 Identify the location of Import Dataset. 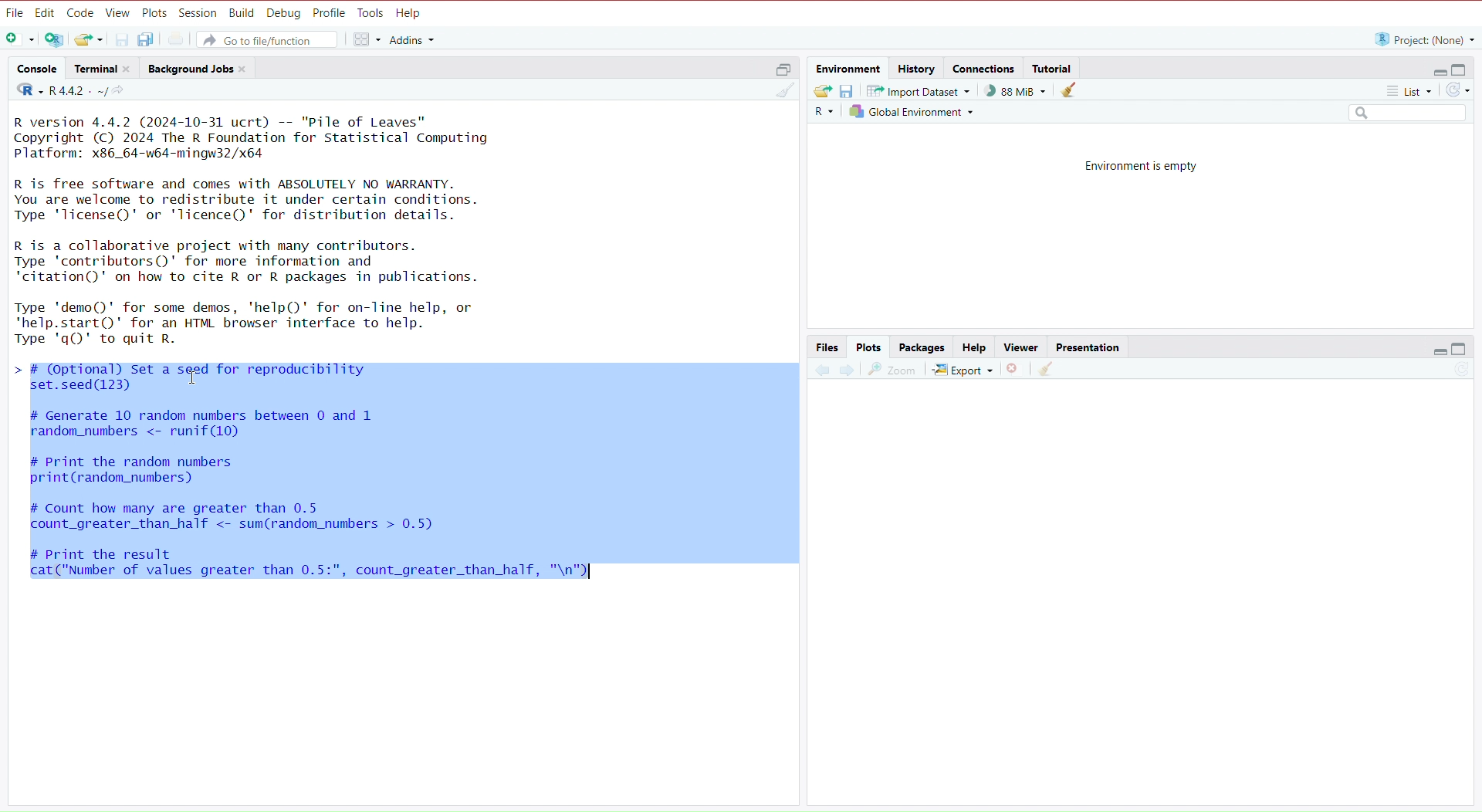
(915, 90).